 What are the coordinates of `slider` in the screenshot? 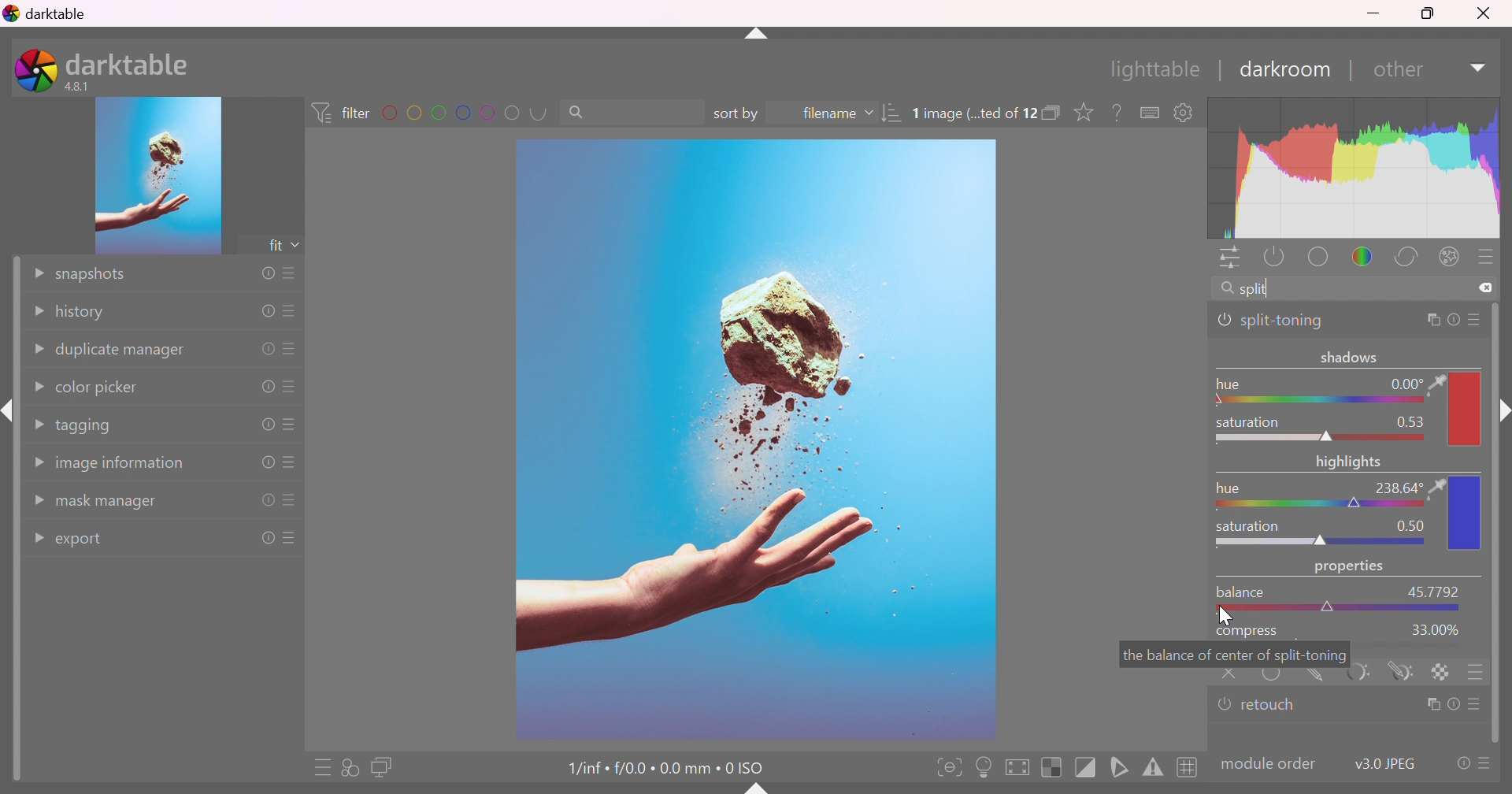 It's located at (1329, 506).